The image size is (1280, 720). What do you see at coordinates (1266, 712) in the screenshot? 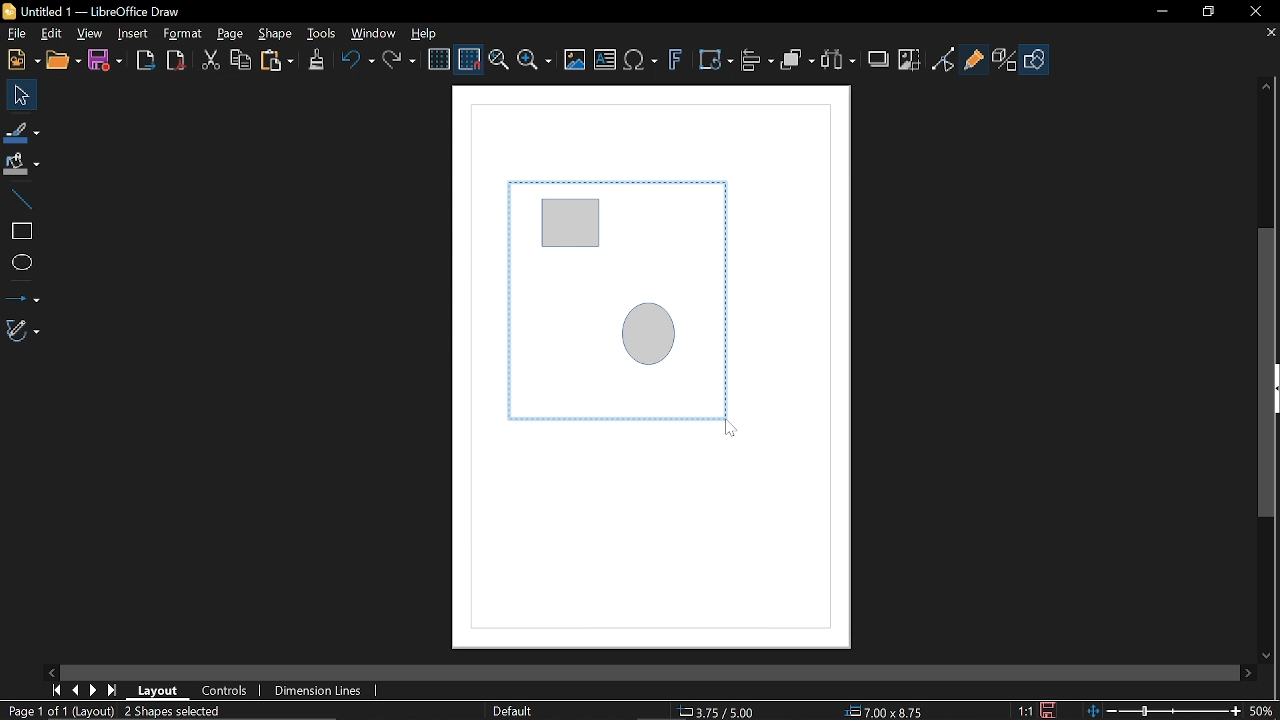
I see `Current zoom` at bounding box center [1266, 712].